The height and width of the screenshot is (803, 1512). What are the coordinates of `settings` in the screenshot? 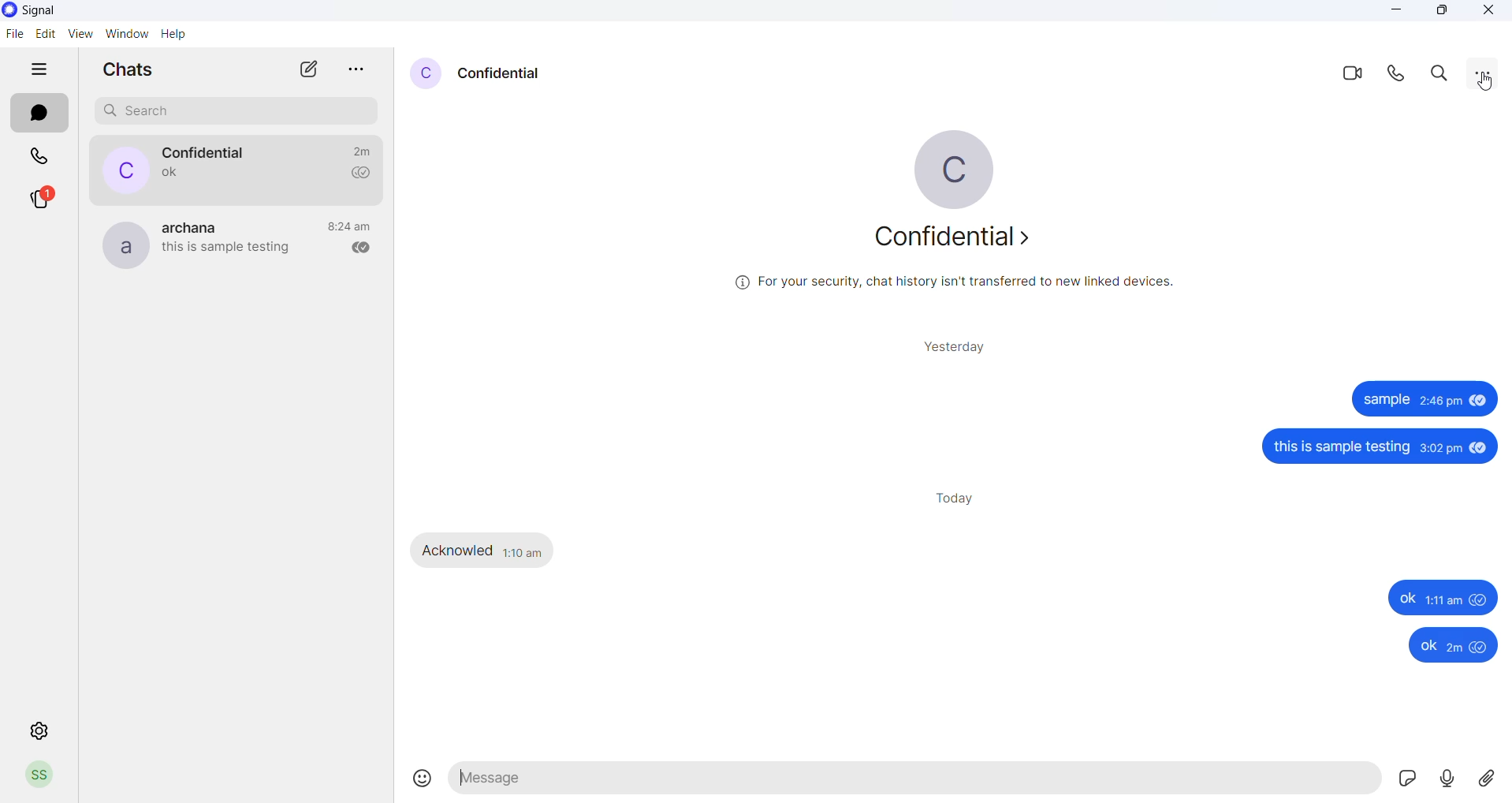 It's located at (39, 732).